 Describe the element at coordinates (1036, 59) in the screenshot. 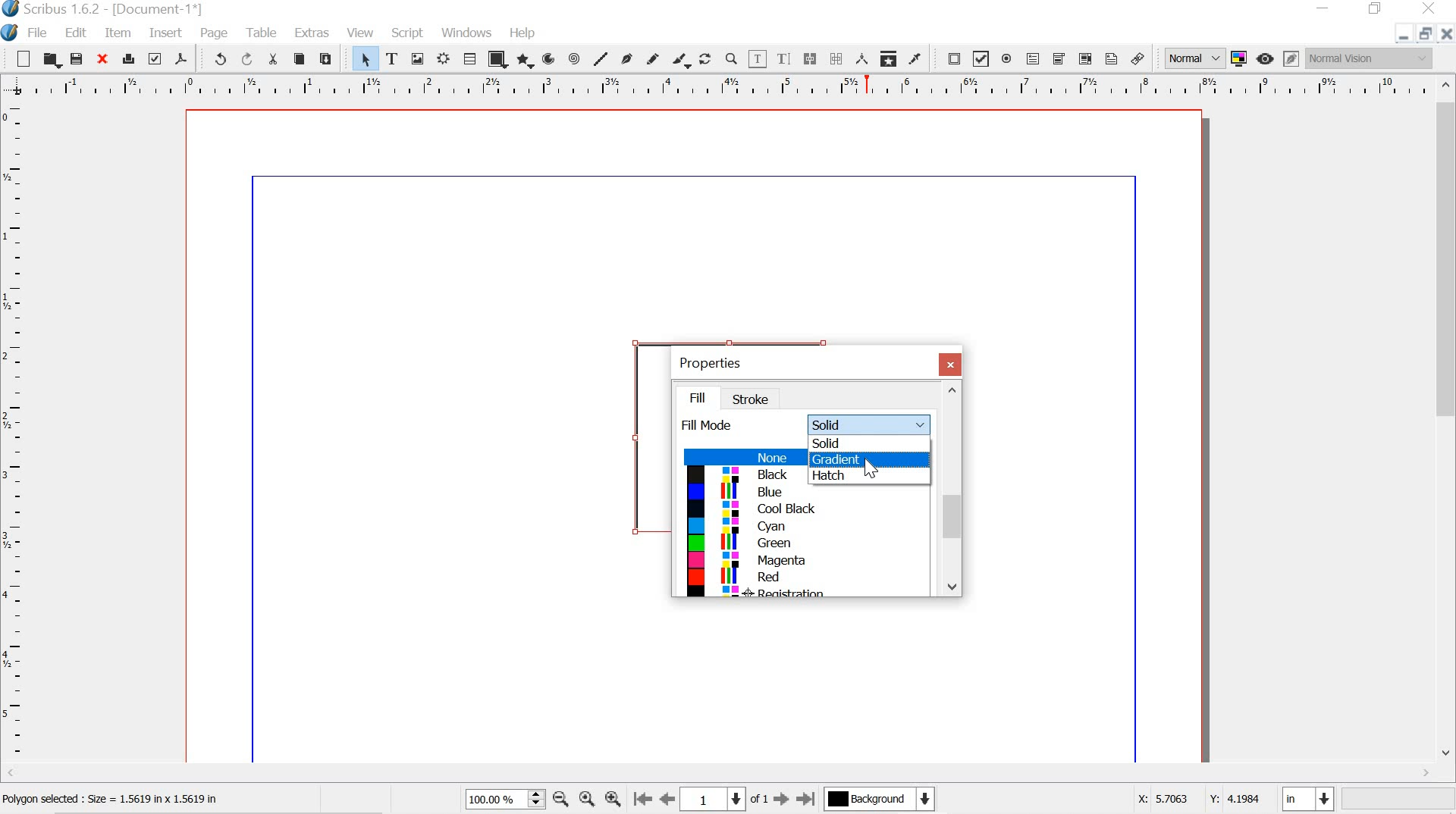

I see `pdf text field` at that location.